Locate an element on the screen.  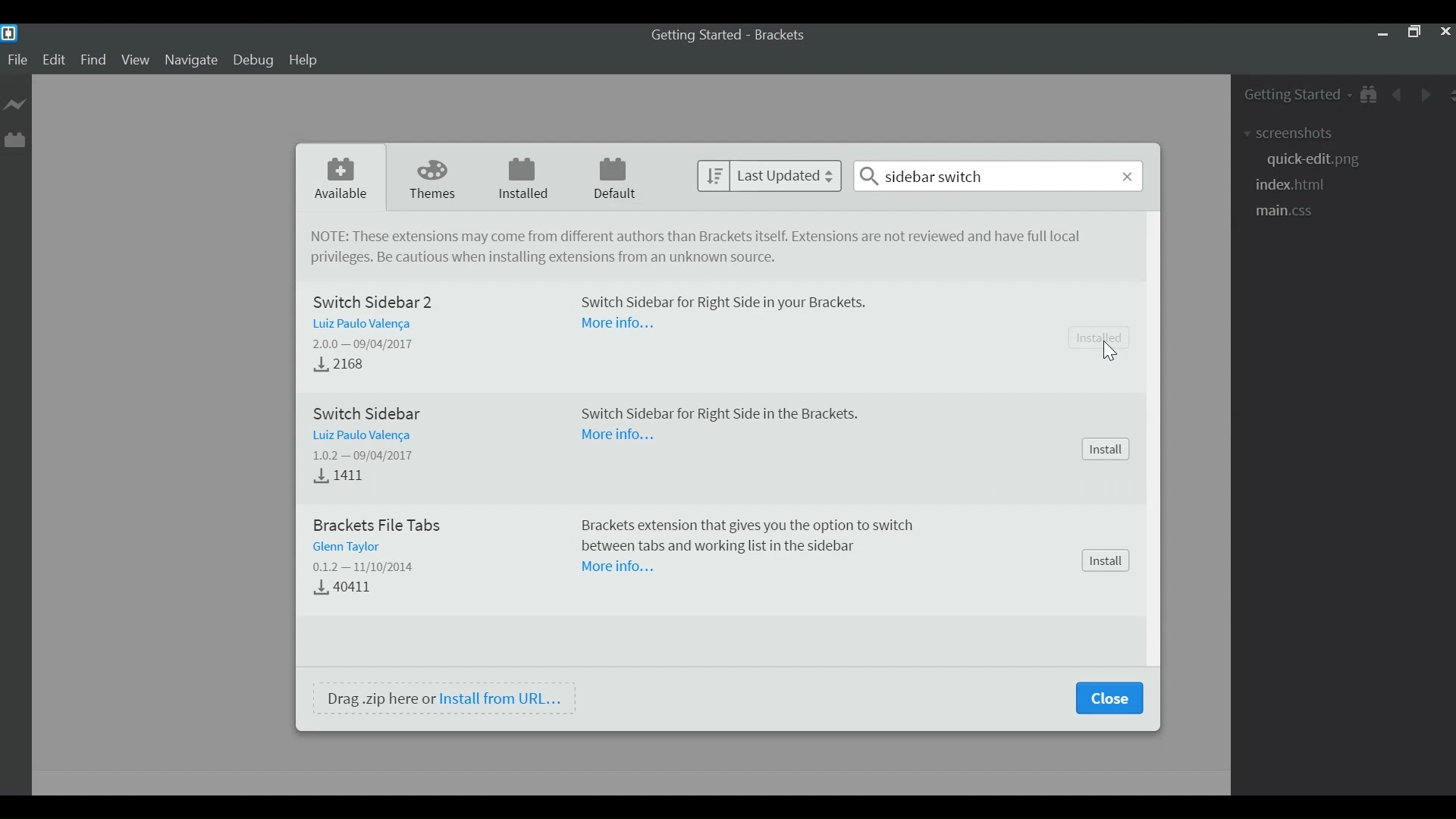
Version - Date Released is located at coordinates (368, 567).